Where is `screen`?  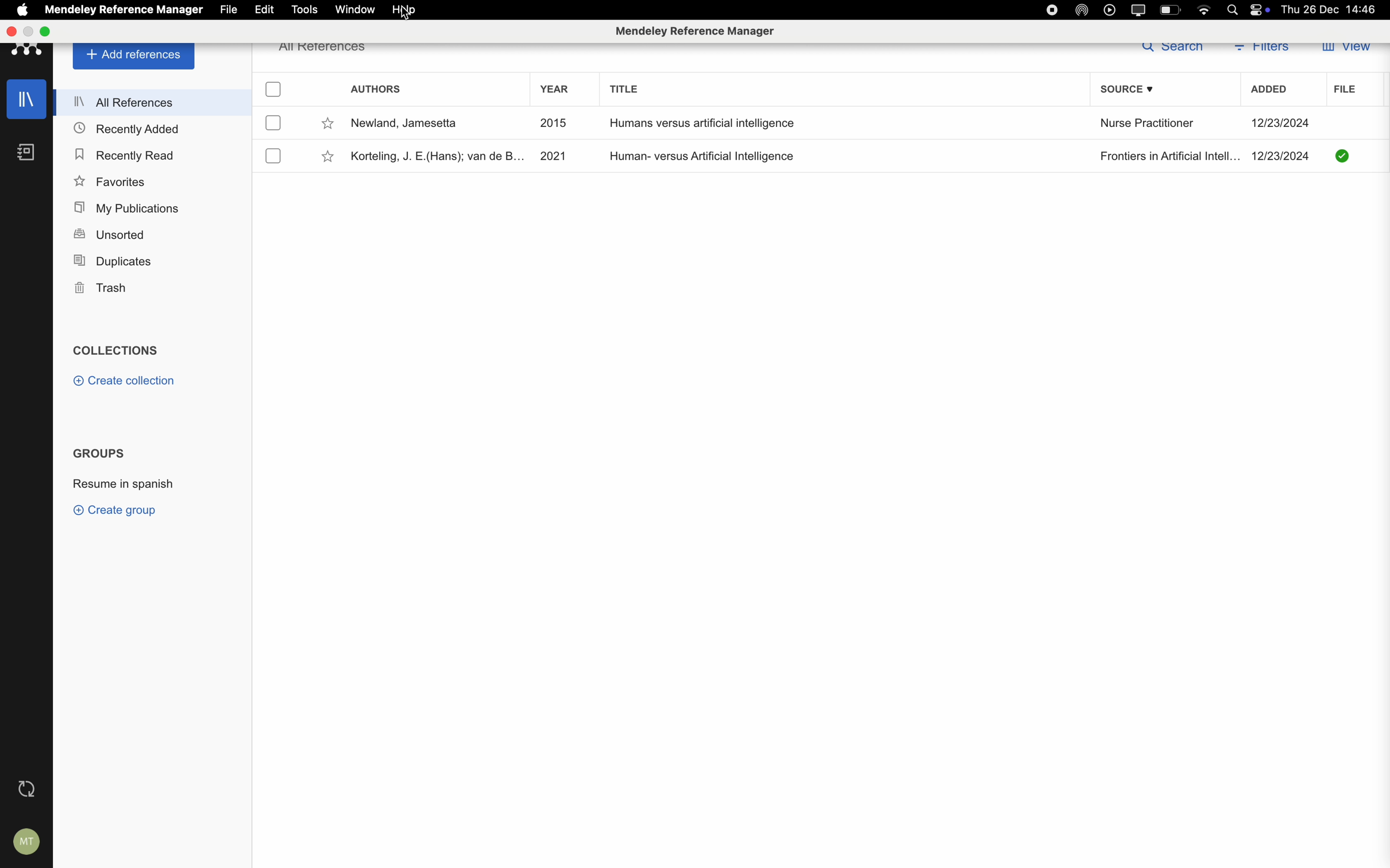
screen is located at coordinates (1135, 10).